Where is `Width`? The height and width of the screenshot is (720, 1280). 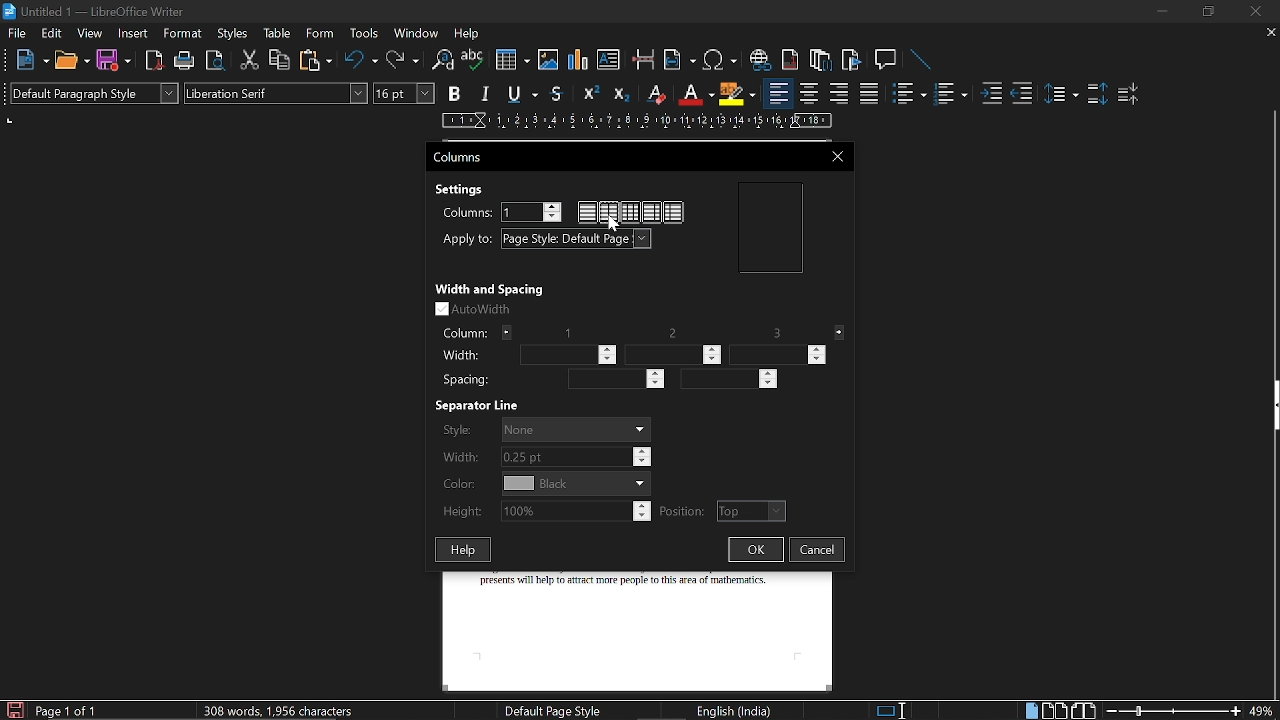
Width is located at coordinates (545, 457).